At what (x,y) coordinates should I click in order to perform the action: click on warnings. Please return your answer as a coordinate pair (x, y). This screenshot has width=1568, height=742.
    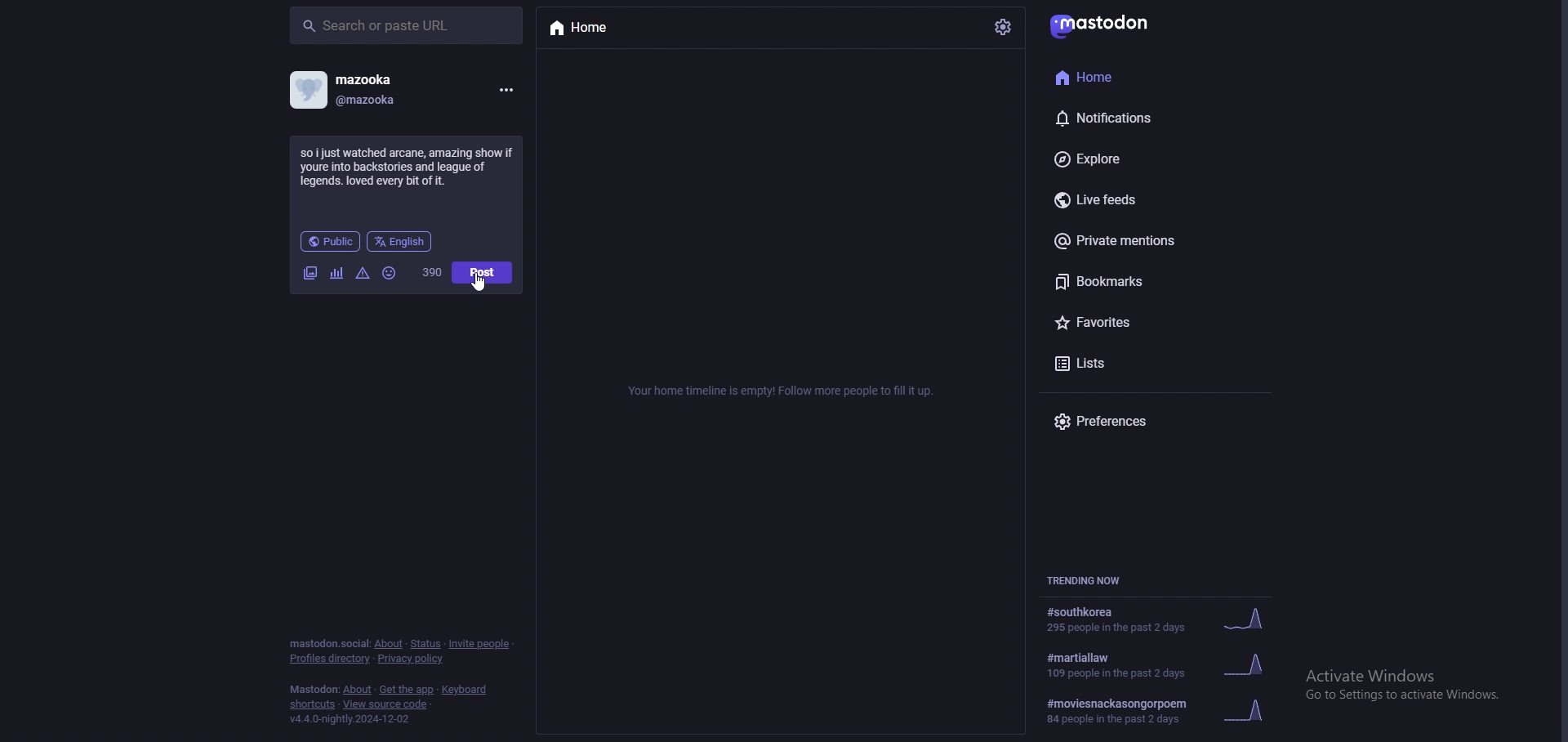
    Looking at the image, I should click on (362, 274).